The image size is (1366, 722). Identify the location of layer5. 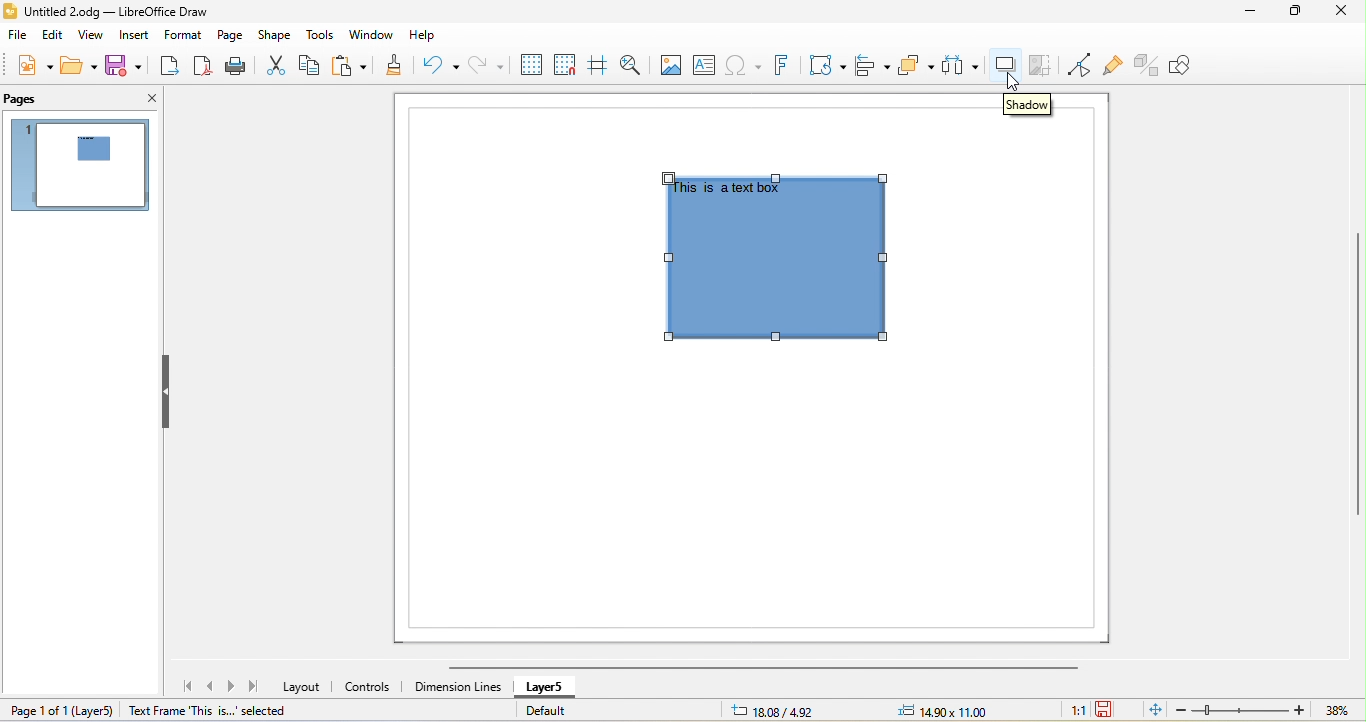
(548, 689).